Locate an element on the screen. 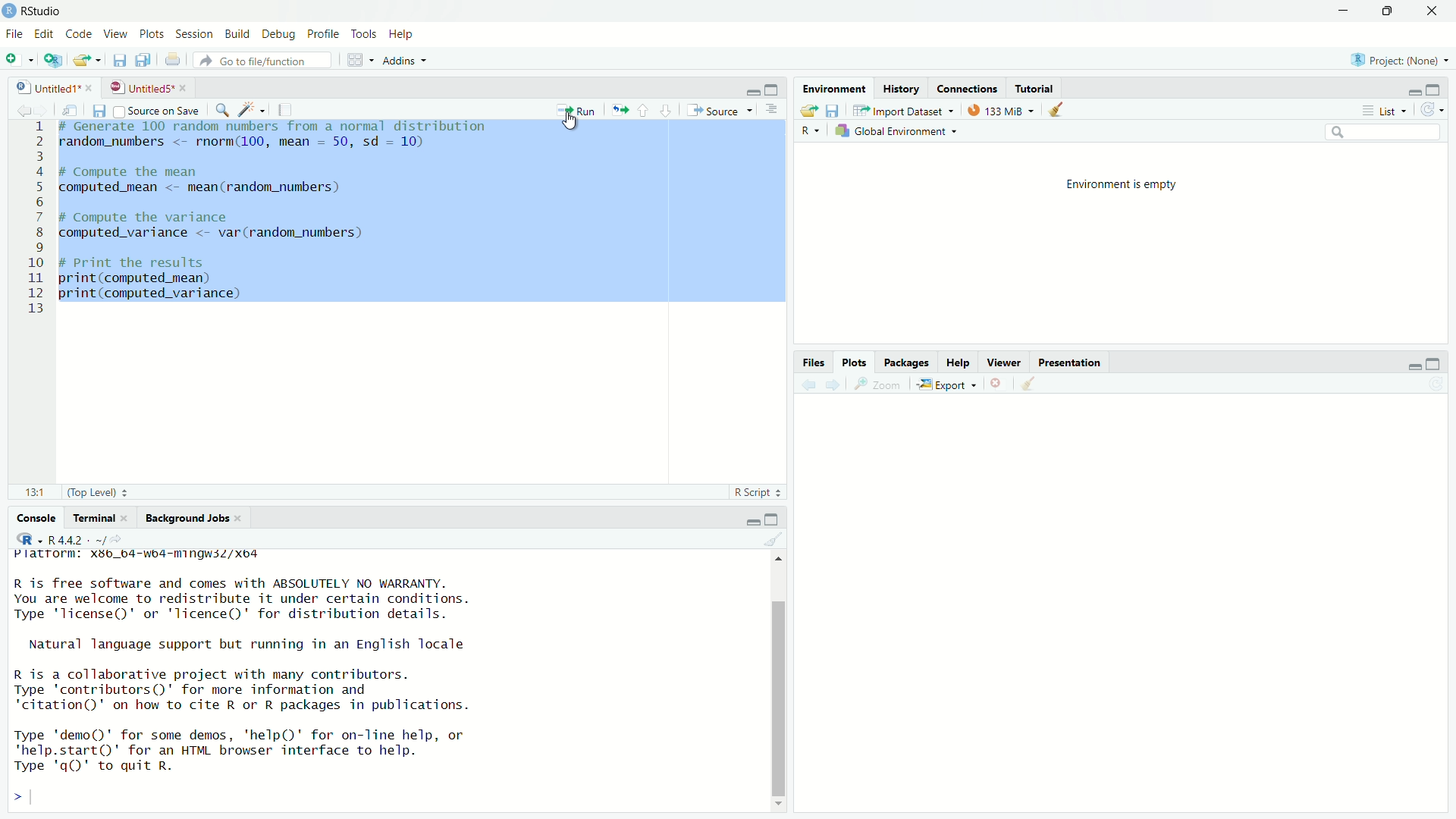  go to file/function is located at coordinates (268, 61).